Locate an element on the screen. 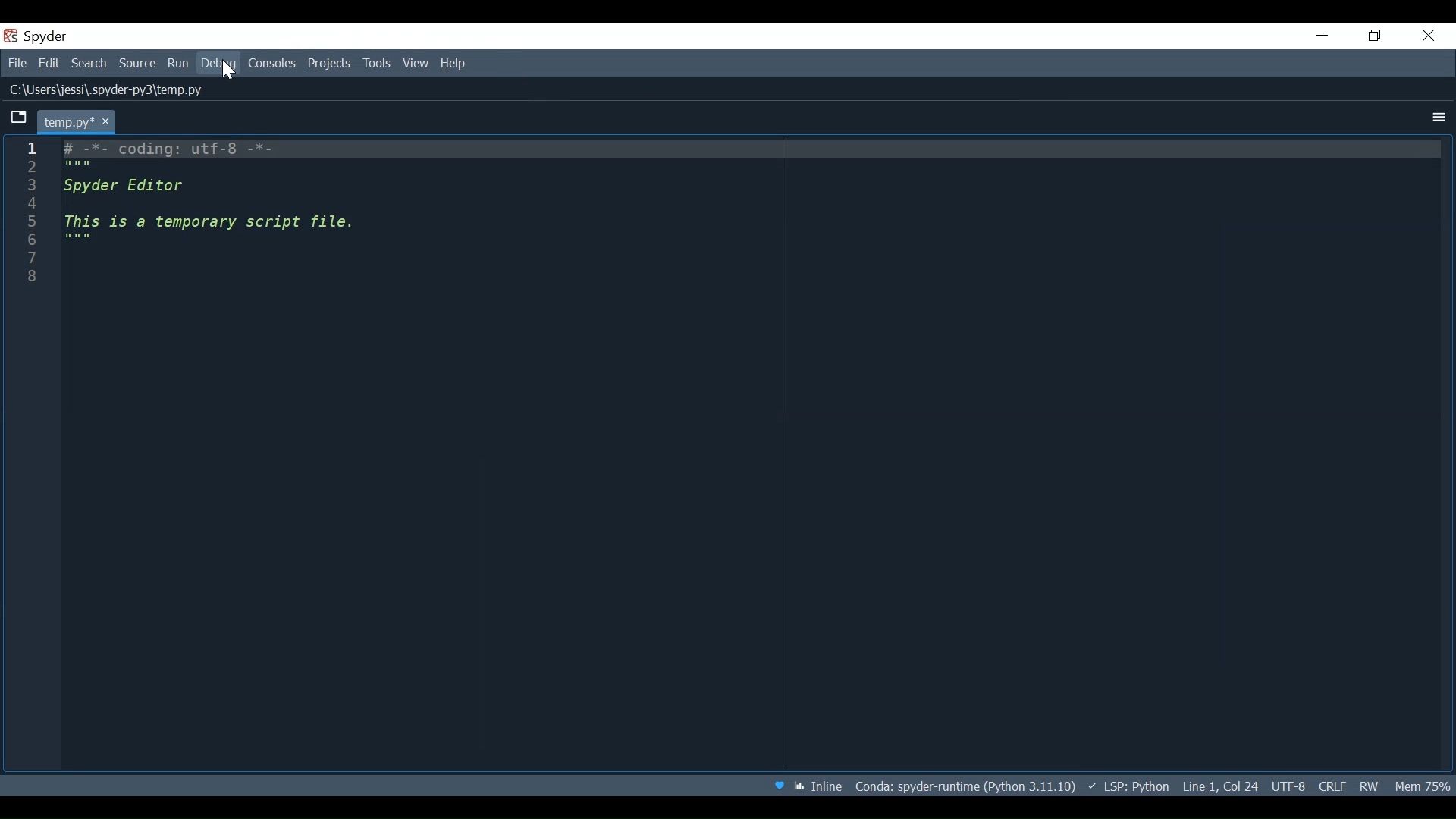 The height and width of the screenshot is (819, 1456). minimize is located at coordinates (1323, 36).